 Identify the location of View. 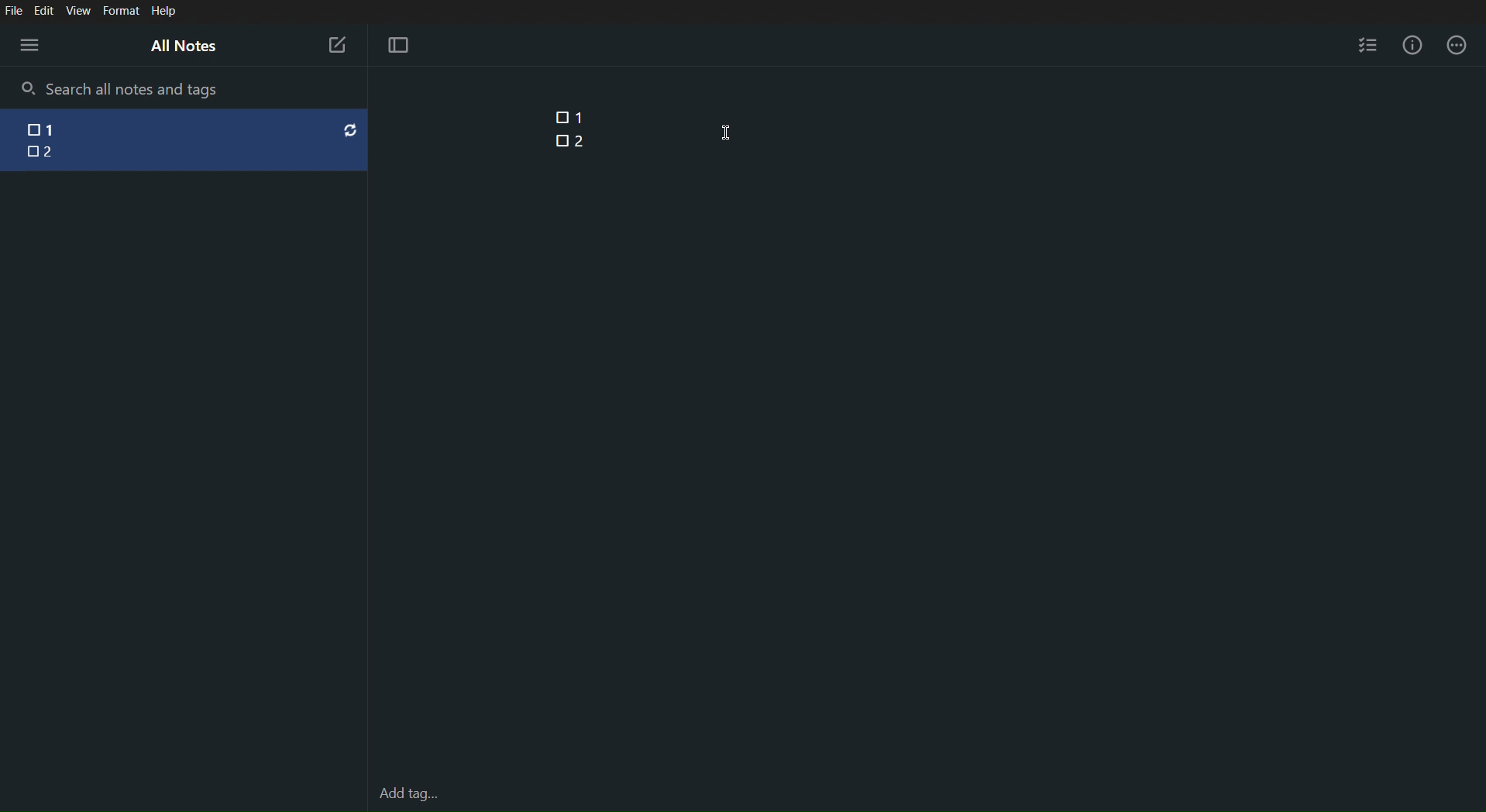
(80, 11).